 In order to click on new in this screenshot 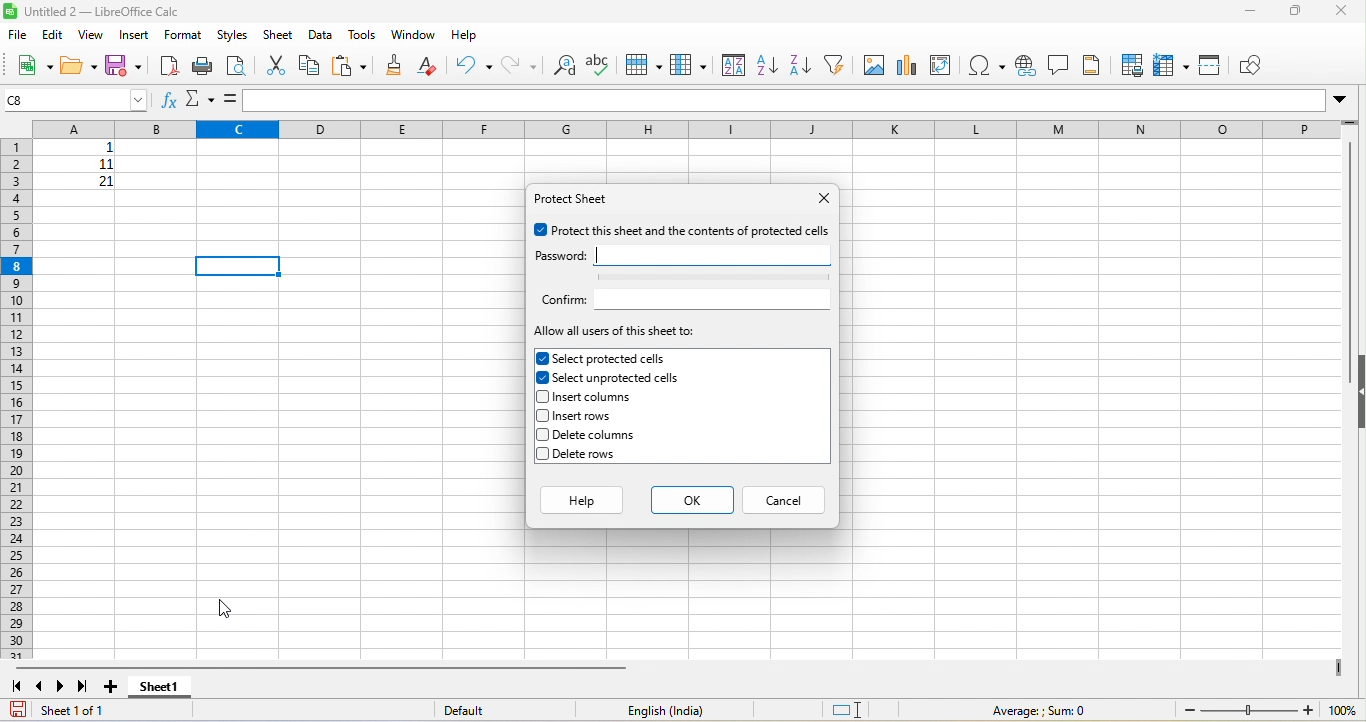, I will do `click(33, 68)`.